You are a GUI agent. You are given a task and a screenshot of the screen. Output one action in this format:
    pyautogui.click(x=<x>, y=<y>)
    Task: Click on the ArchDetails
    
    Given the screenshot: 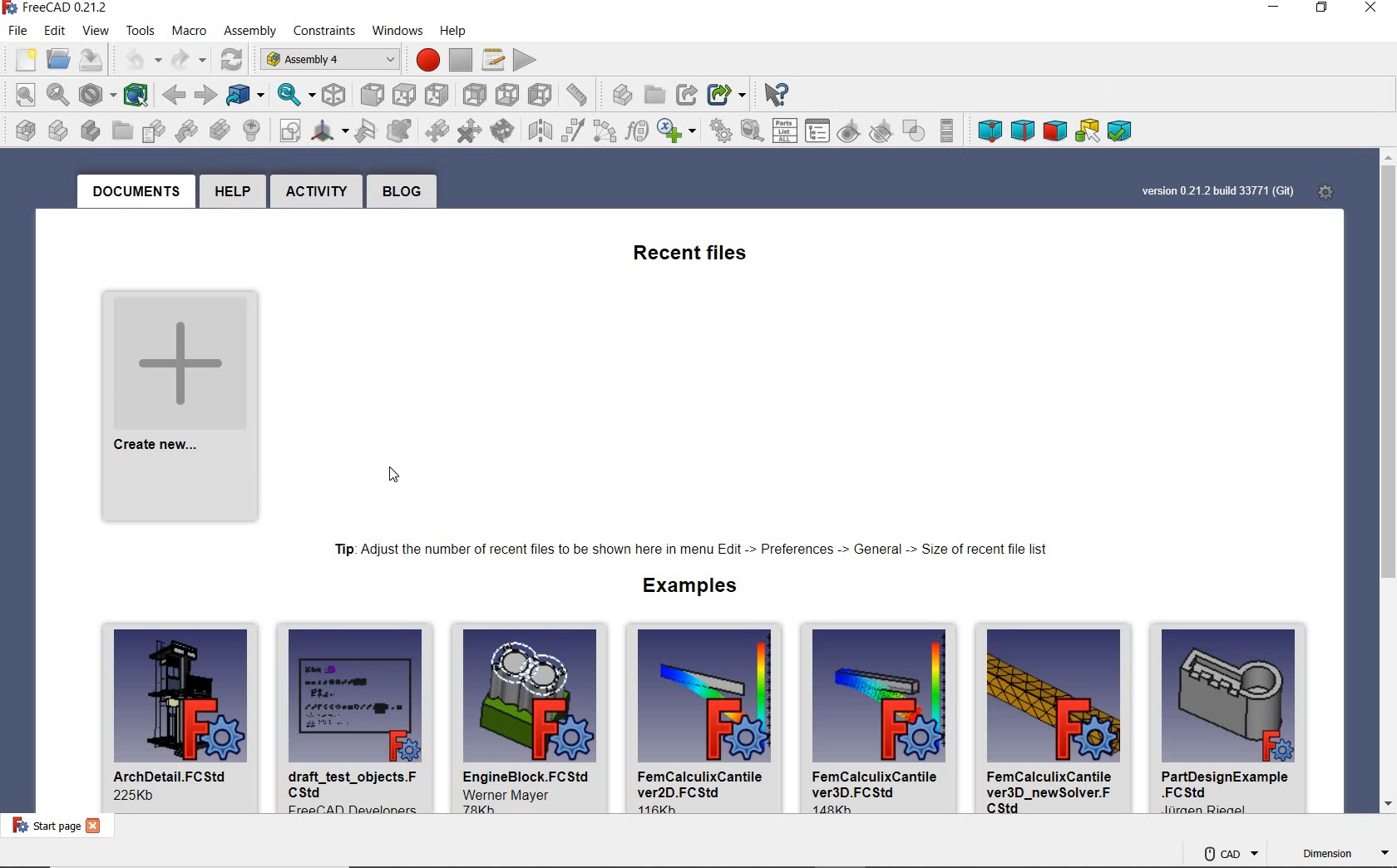 What is the action you would take?
    pyautogui.click(x=173, y=716)
    